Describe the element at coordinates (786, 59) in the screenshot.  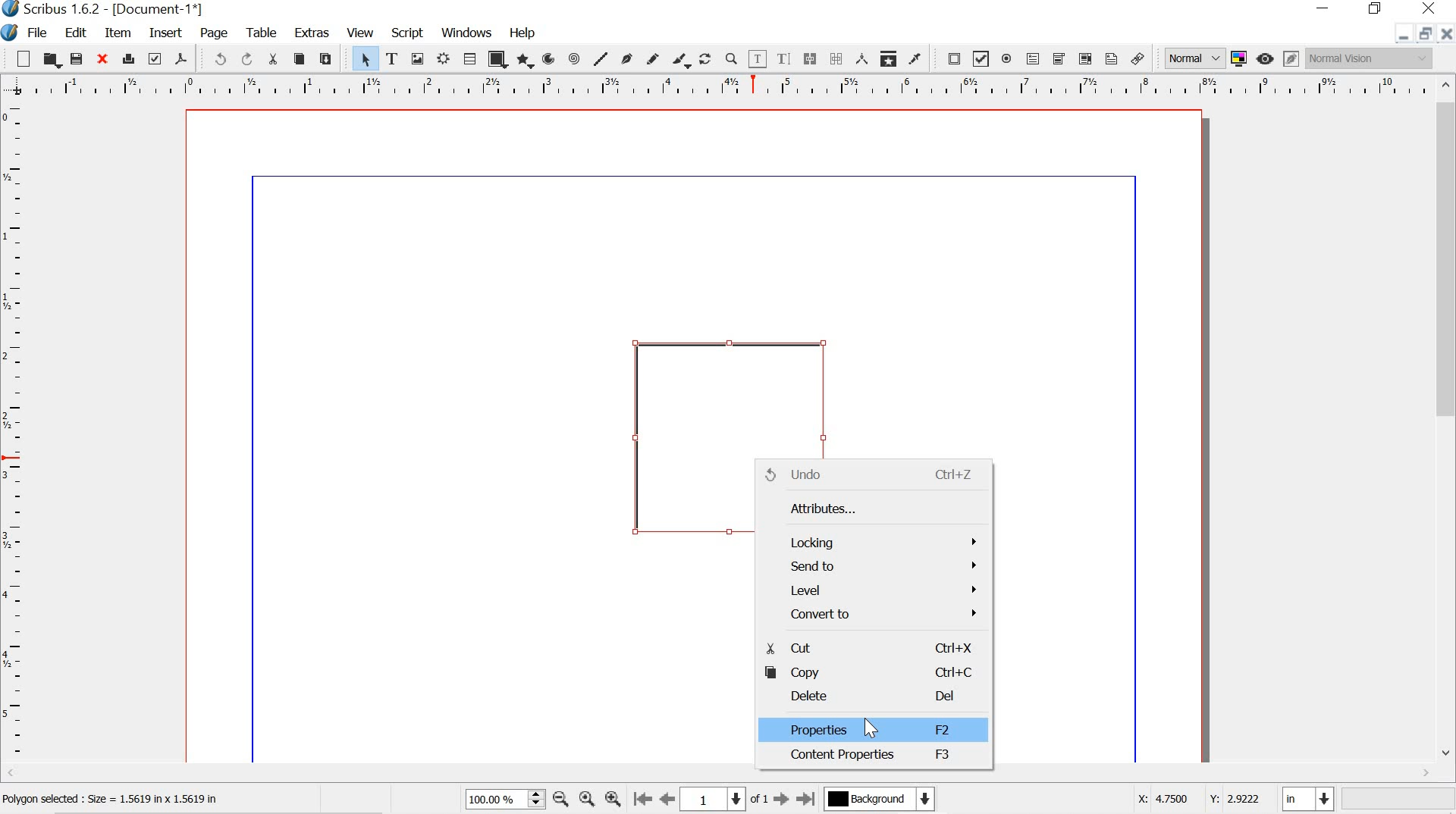
I see `edit text with story editor` at that location.